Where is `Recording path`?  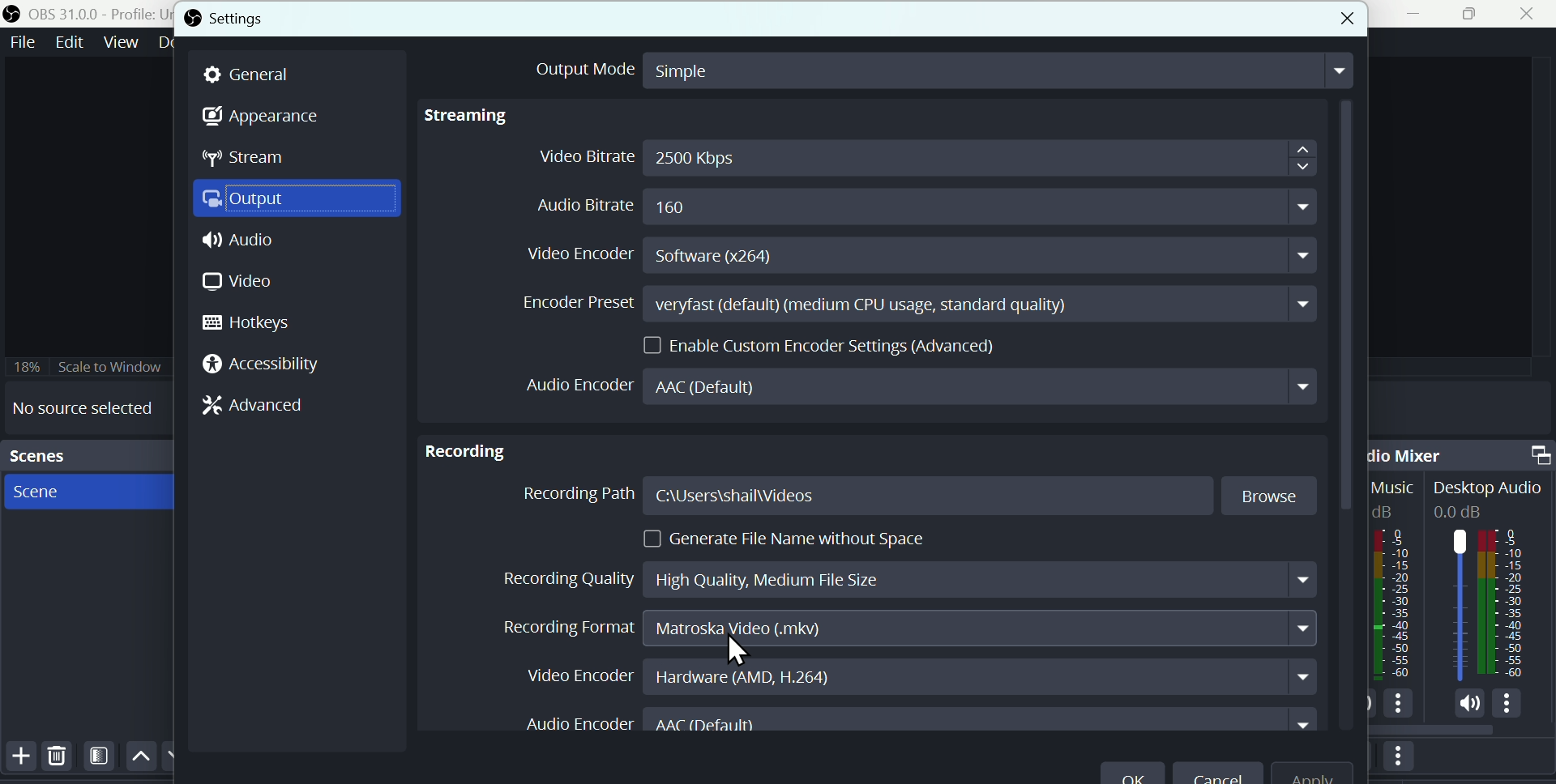
Recording path is located at coordinates (864, 497).